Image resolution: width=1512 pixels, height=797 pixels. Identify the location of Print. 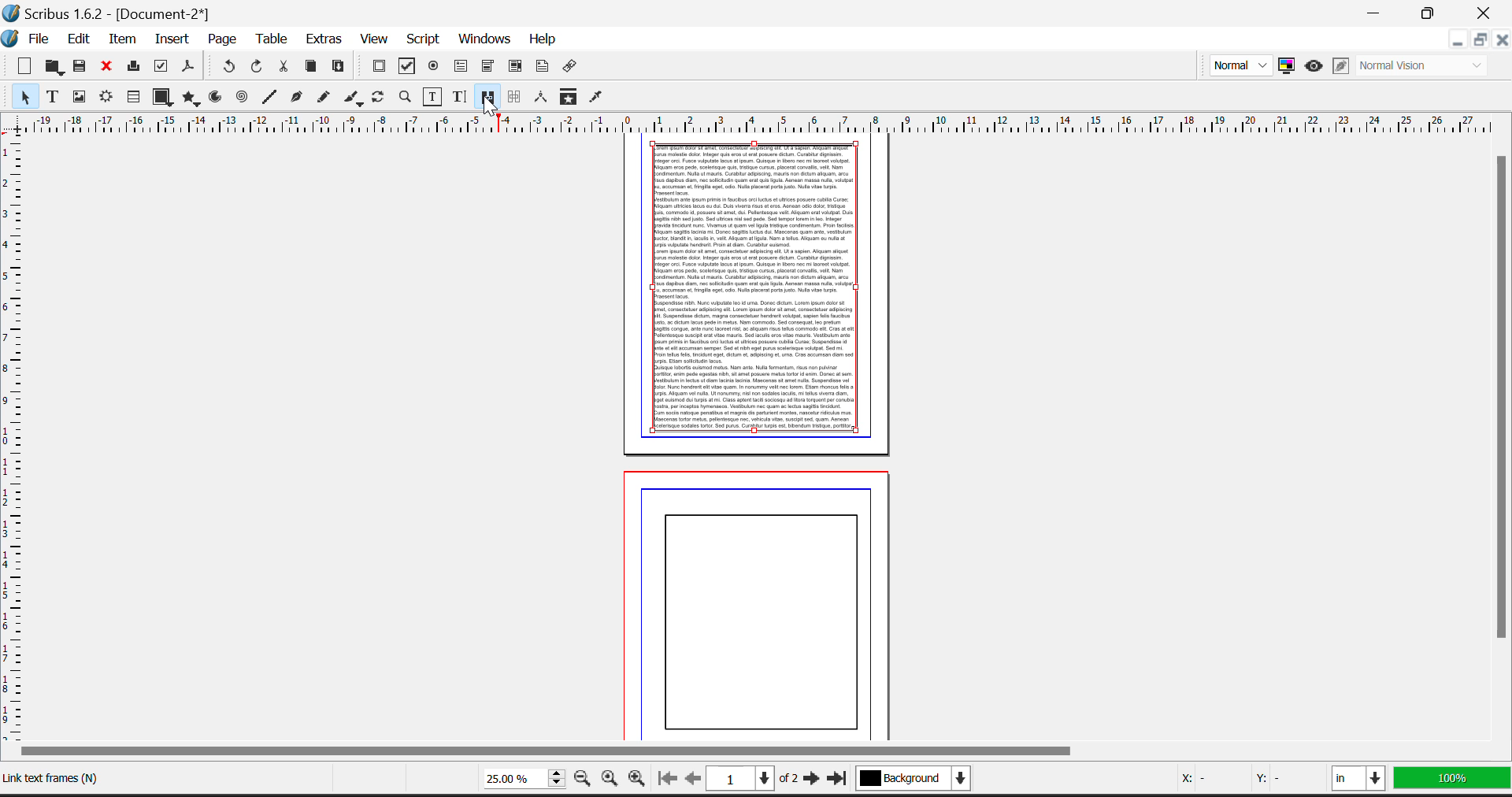
(133, 69).